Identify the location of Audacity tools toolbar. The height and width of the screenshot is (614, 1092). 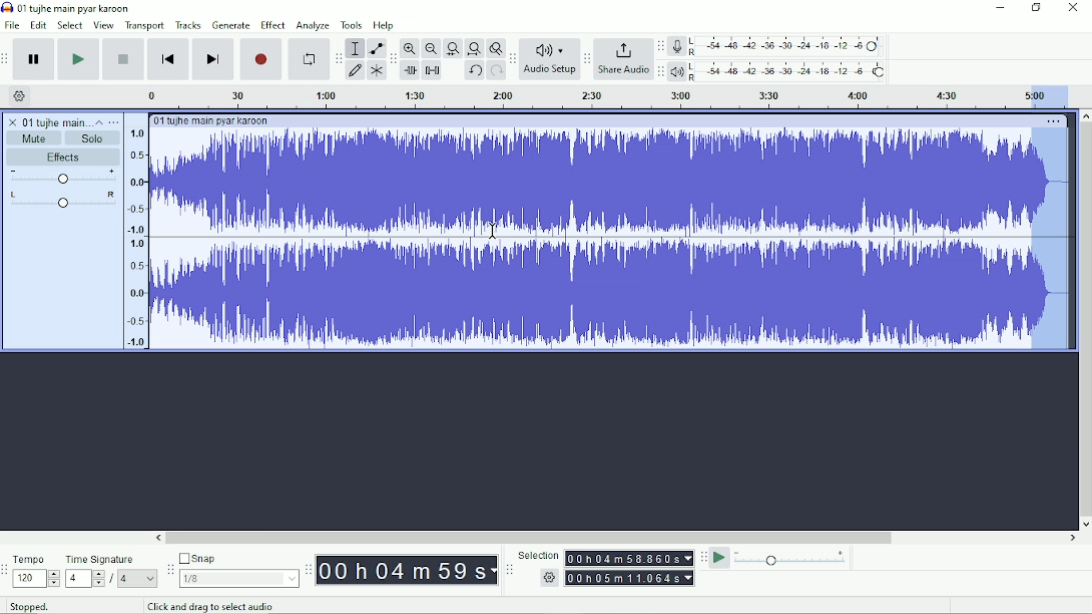
(338, 58).